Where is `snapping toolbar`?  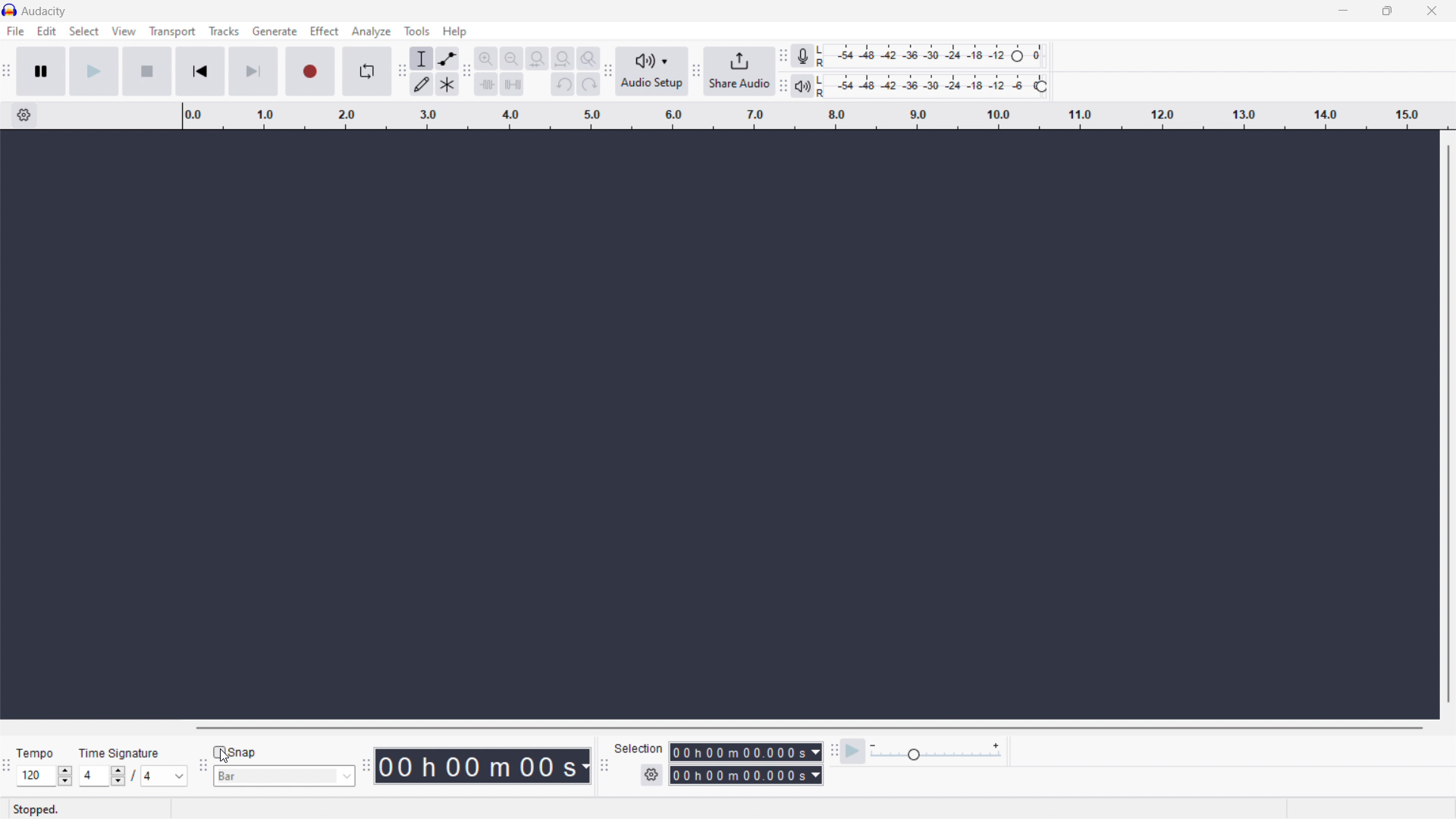 snapping toolbar is located at coordinates (202, 764).